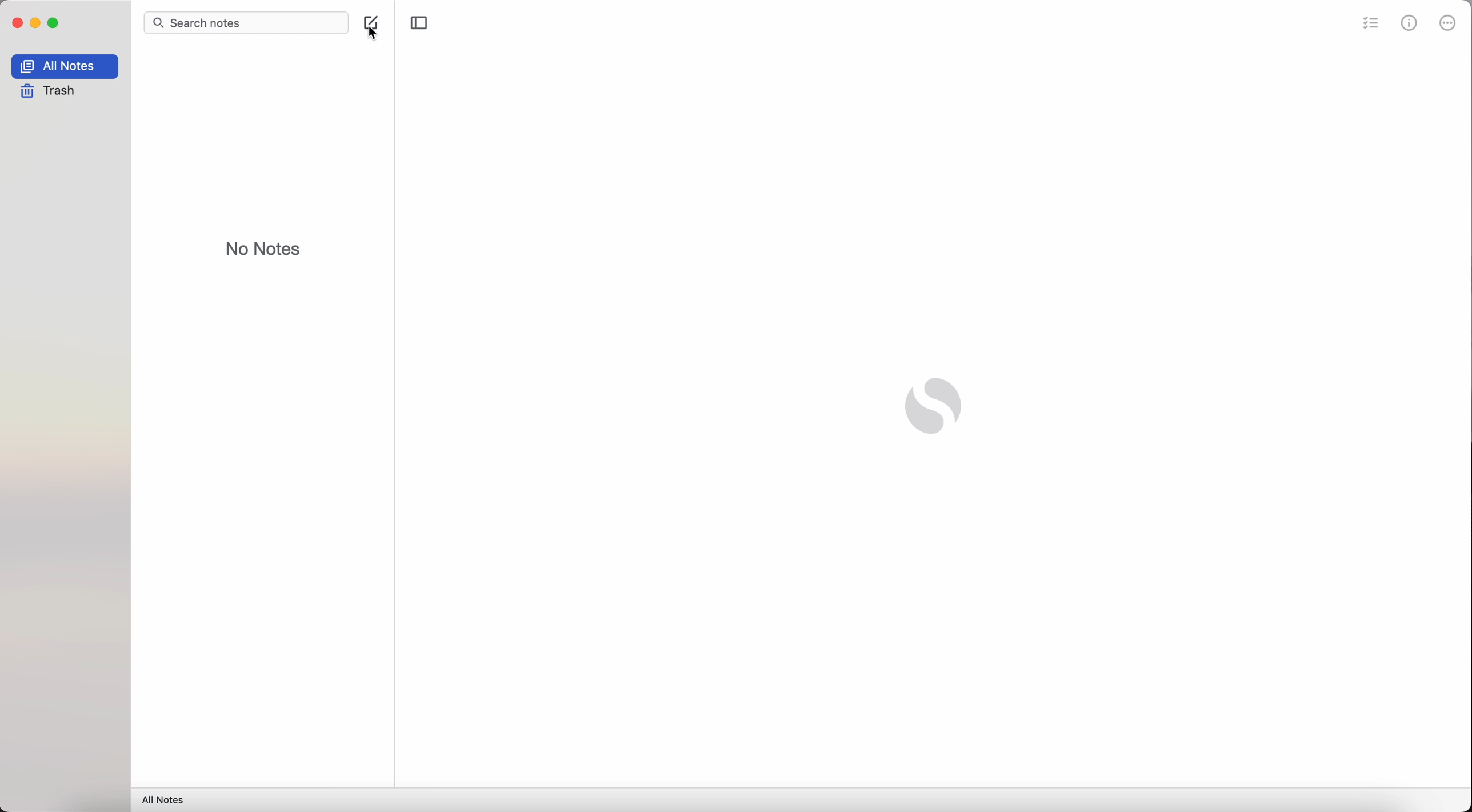  Describe the element at coordinates (1370, 25) in the screenshot. I see `check list` at that location.